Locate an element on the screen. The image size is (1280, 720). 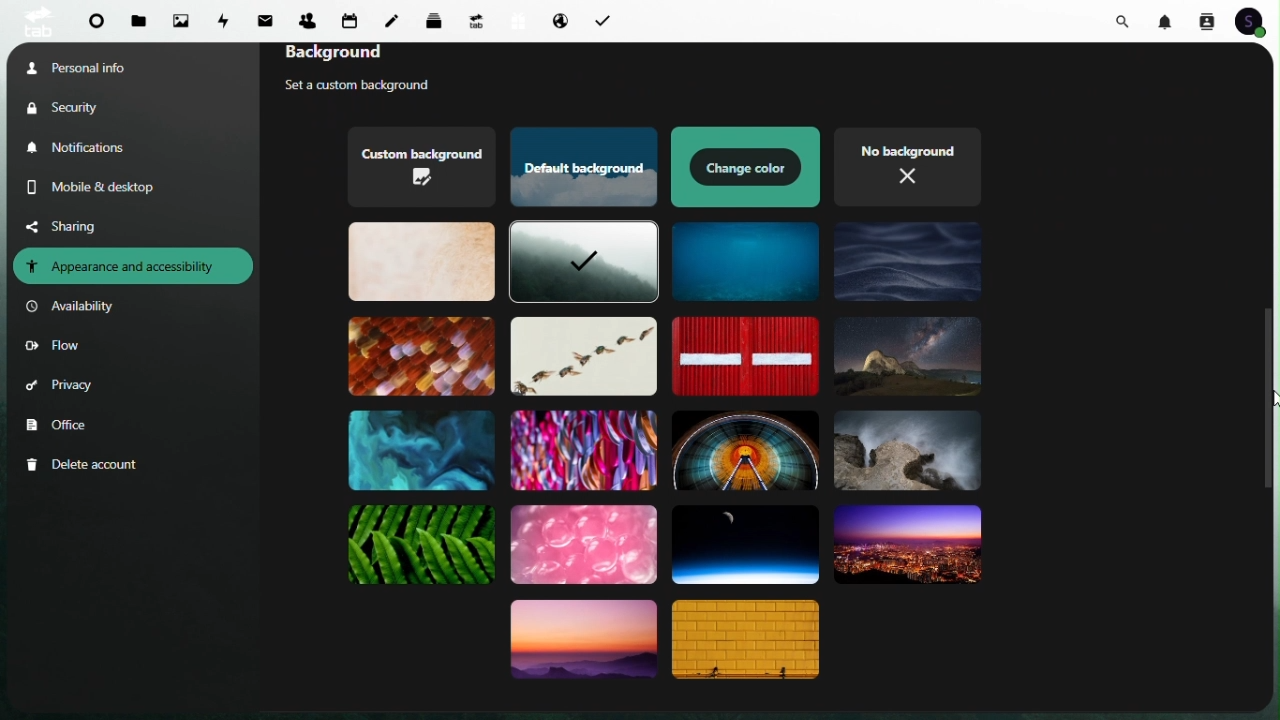
files is located at coordinates (140, 22).